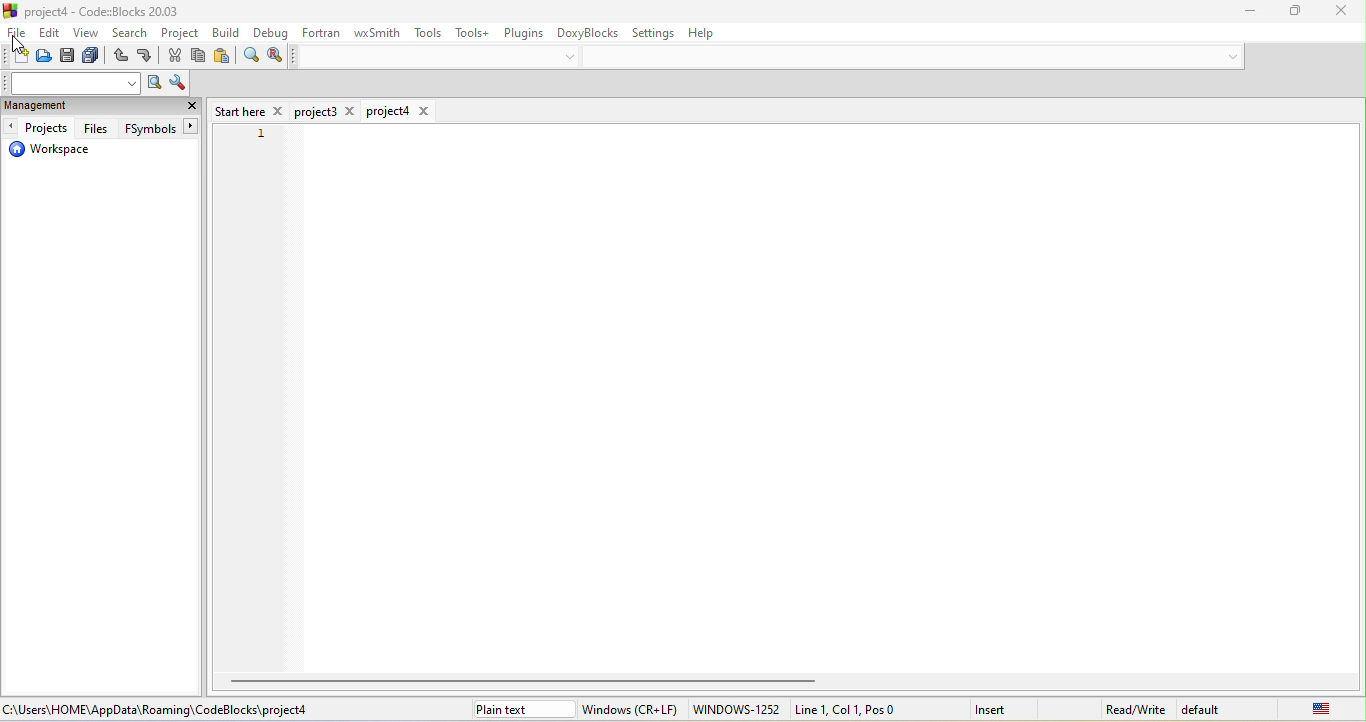 Image resolution: width=1366 pixels, height=722 pixels. Describe the element at coordinates (1307, 708) in the screenshot. I see `united state` at that location.